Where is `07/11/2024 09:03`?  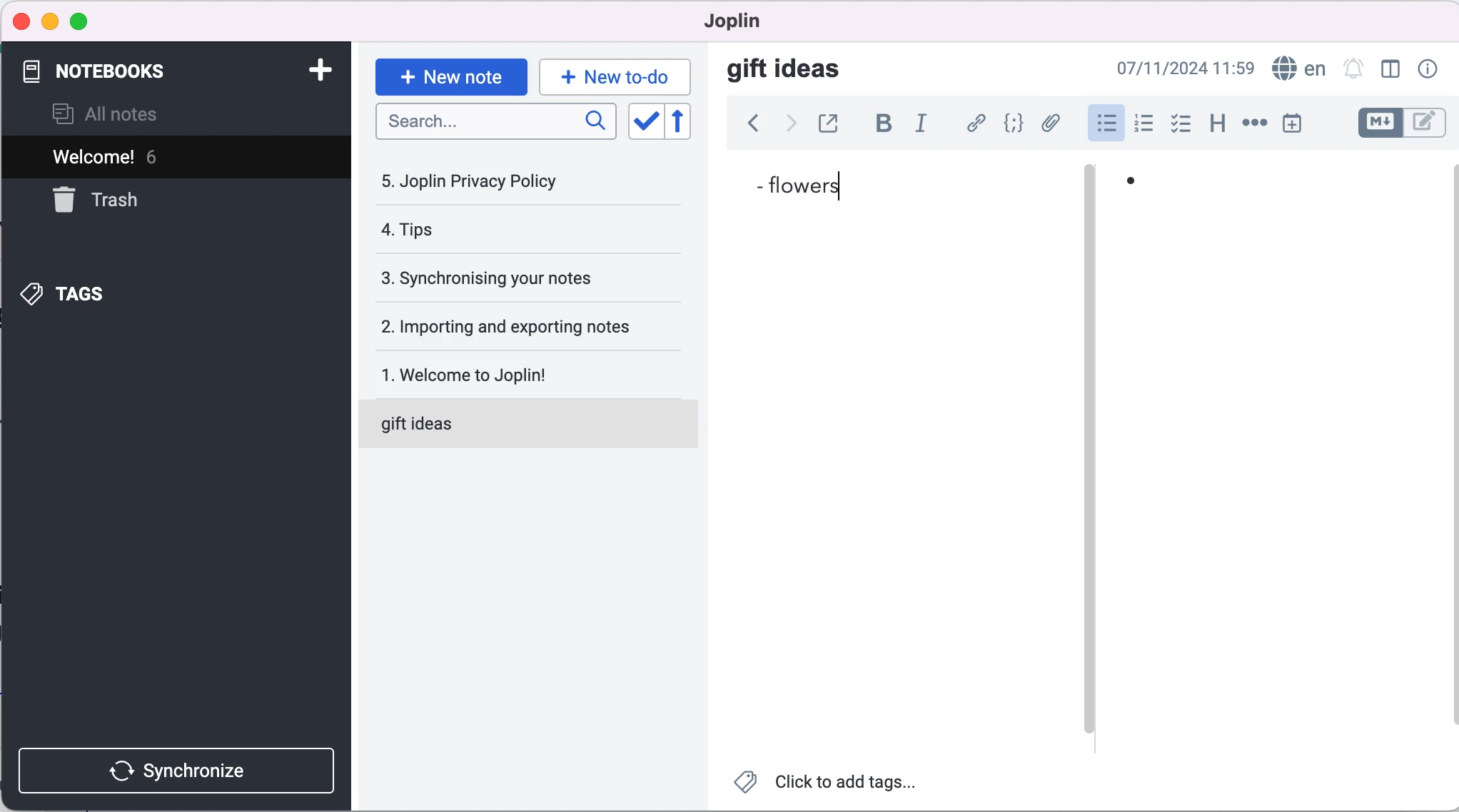 07/11/2024 09:03 is located at coordinates (1171, 69).